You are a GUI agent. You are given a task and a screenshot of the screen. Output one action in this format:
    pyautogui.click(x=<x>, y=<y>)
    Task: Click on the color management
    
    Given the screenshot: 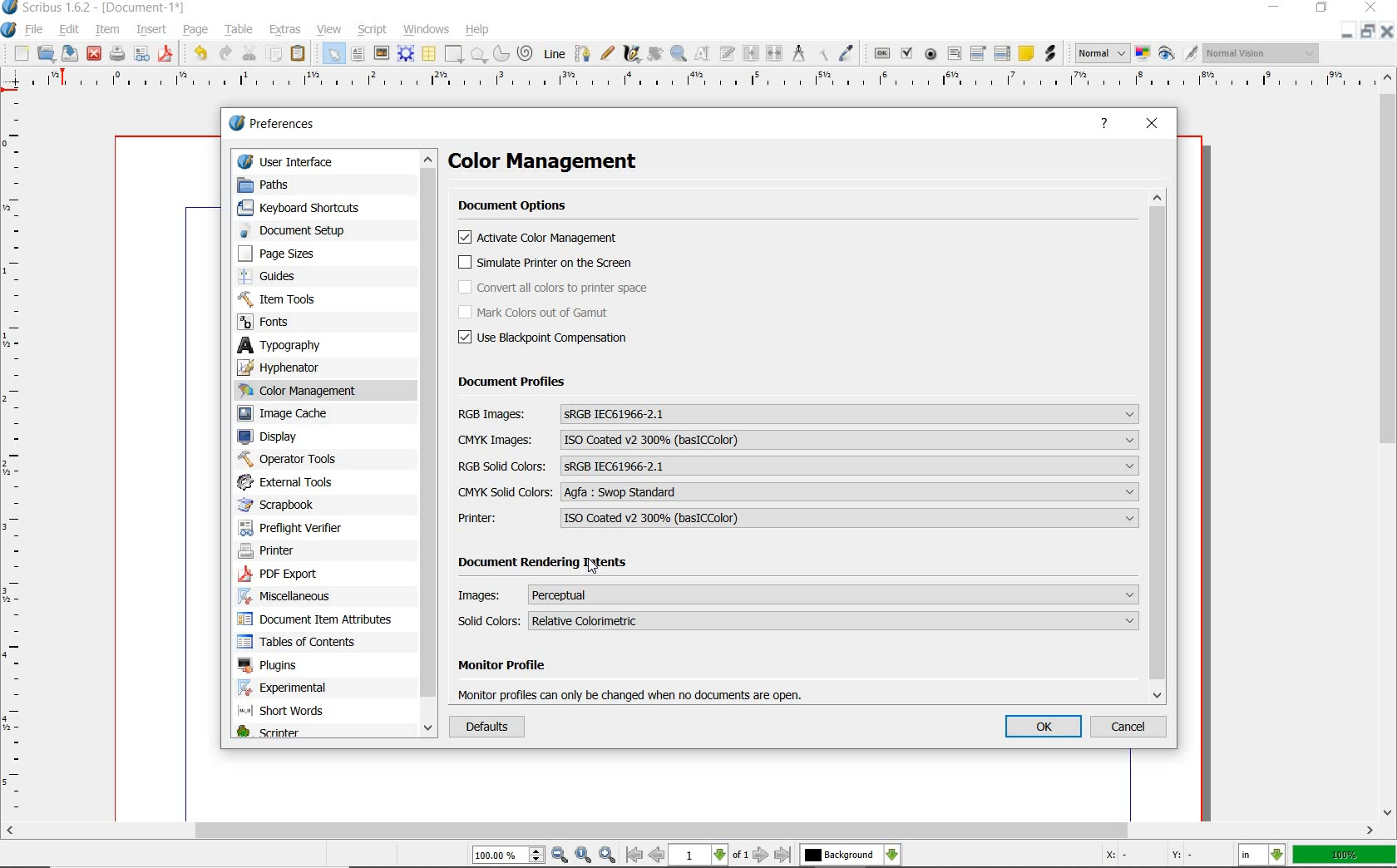 What is the action you would take?
    pyautogui.click(x=564, y=163)
    